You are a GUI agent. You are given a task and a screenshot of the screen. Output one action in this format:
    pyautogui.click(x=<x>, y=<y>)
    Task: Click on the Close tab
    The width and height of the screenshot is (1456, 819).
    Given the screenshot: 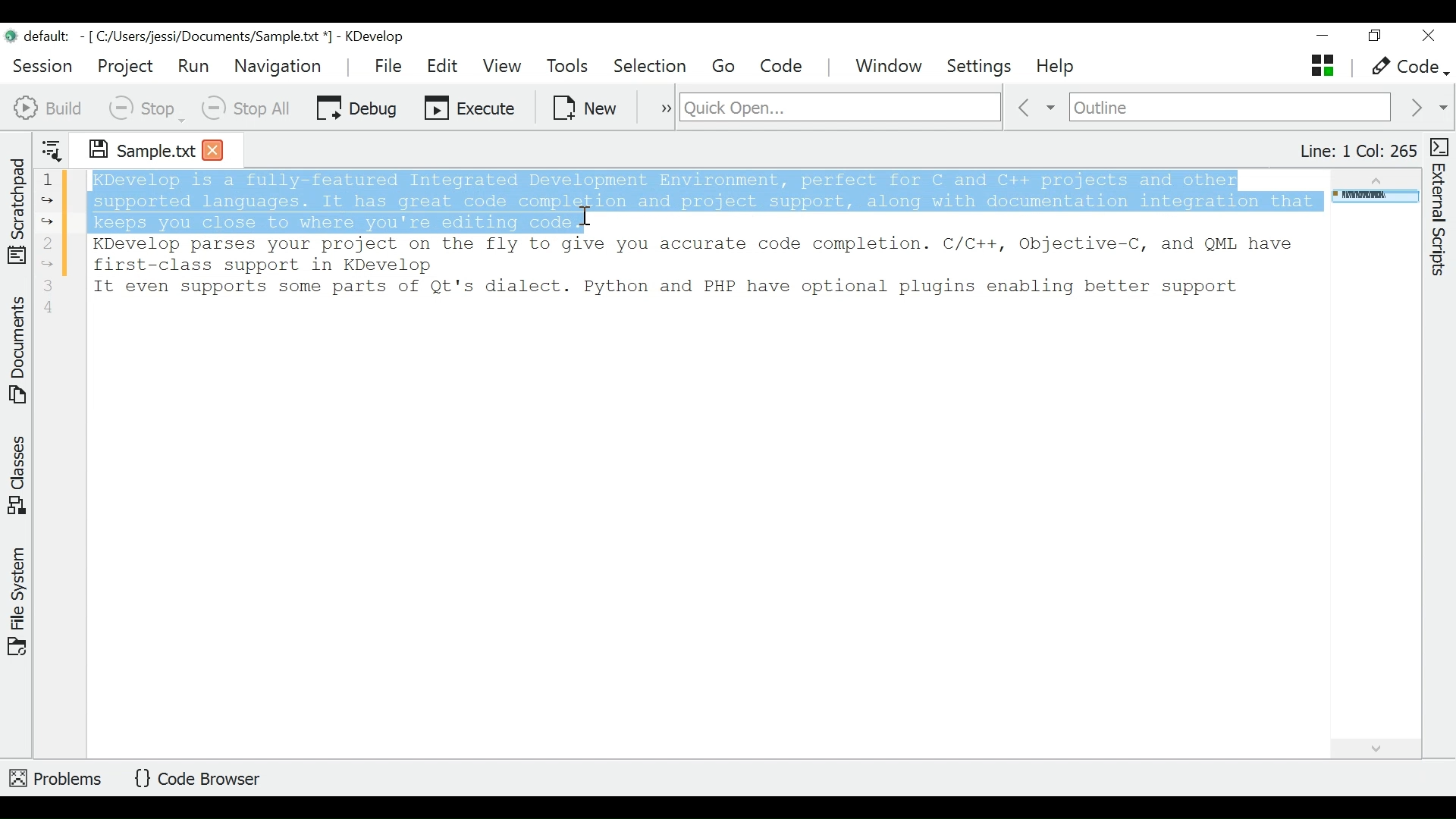 What is the action you would take?
    pyautogui.click(x=213, y=149)
    